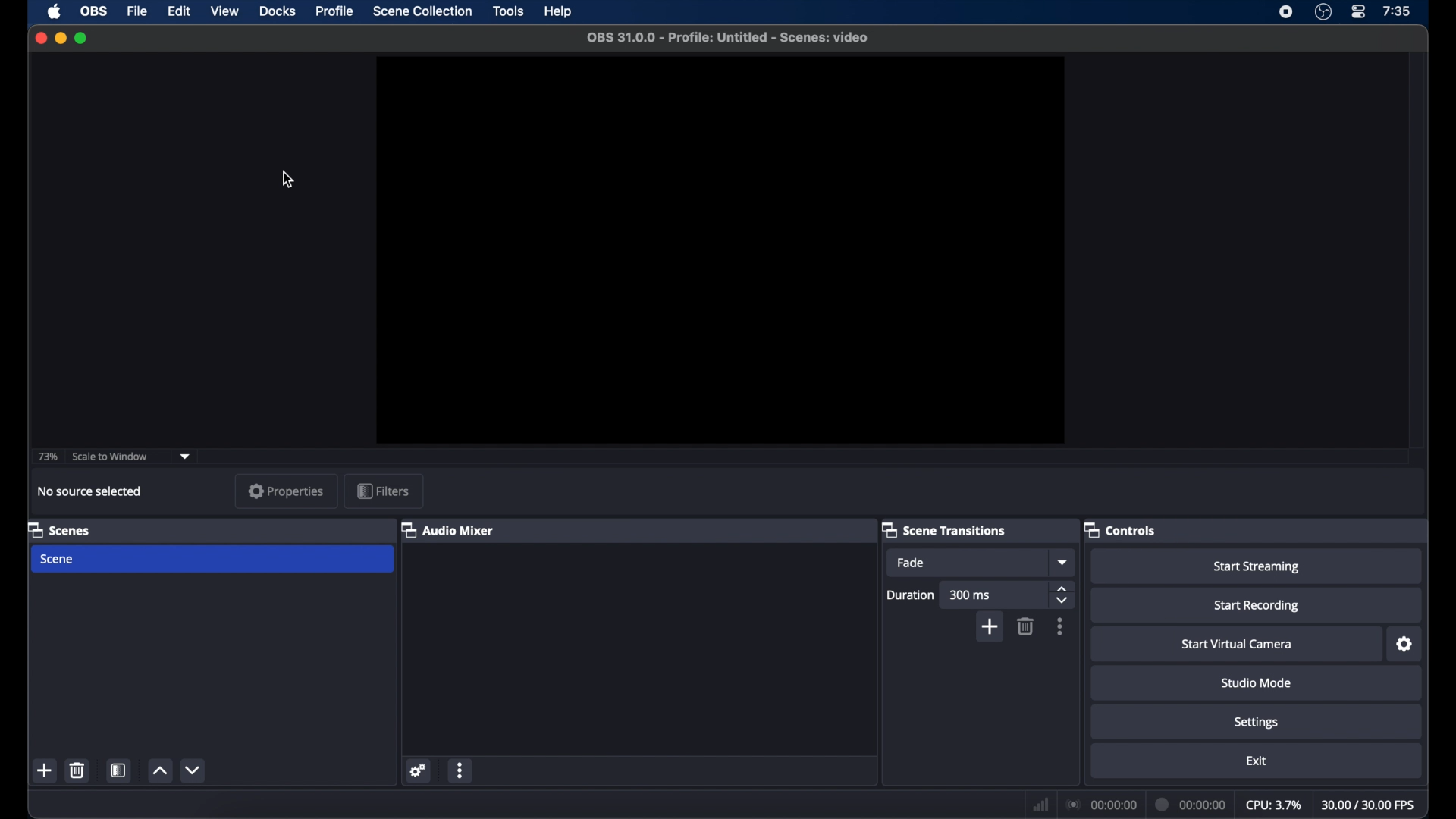  What do you see at coordinates (419, 770) in the screenshot?
I see `audio mixer settings` at bounding box center [419, 770].